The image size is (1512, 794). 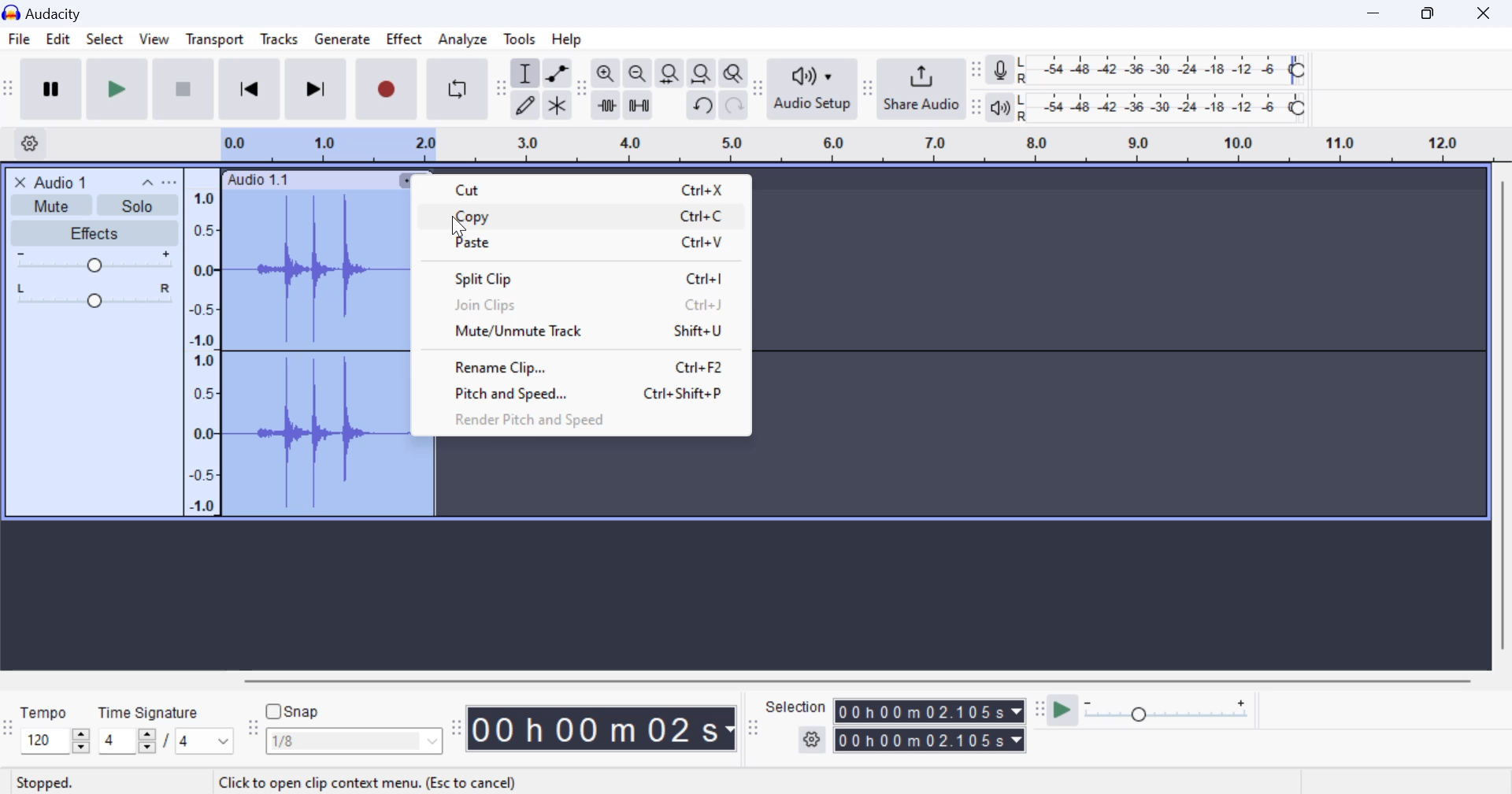 What do you see at coordinates (185, 88) in the screenshot?
I see `Stop` at bounding box center [185, 88].